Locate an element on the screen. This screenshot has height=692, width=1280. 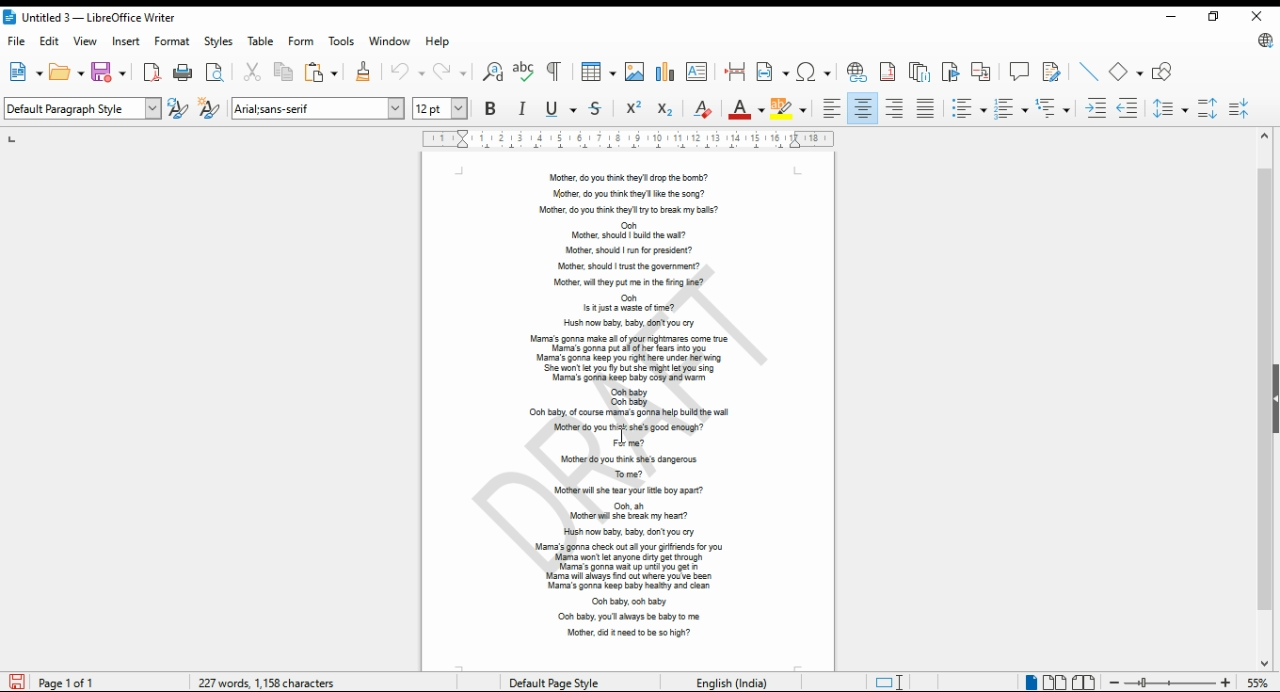
align left is located at coordinates (832, 108).